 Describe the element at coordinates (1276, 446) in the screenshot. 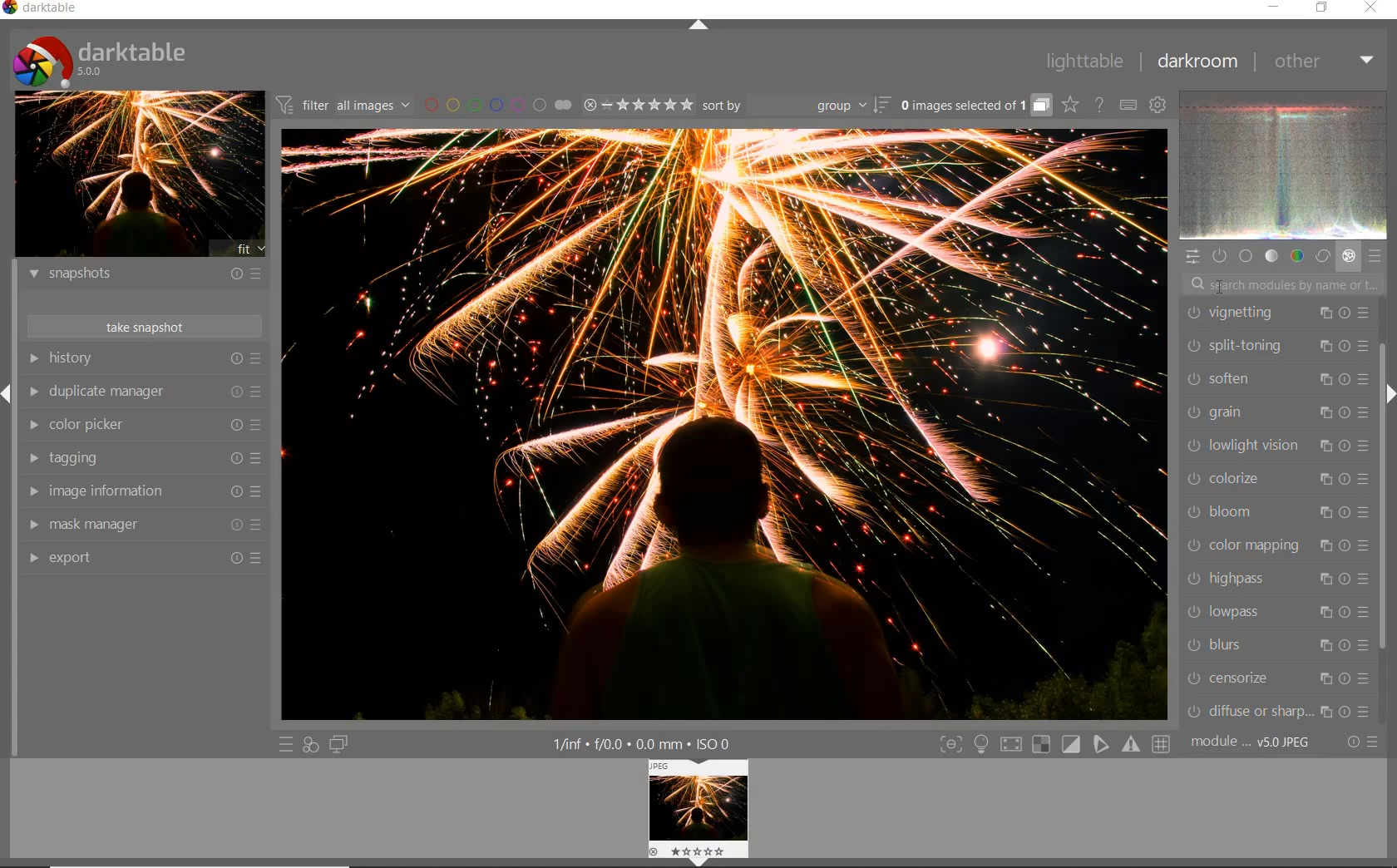

I see `lowlight vision` at that location.